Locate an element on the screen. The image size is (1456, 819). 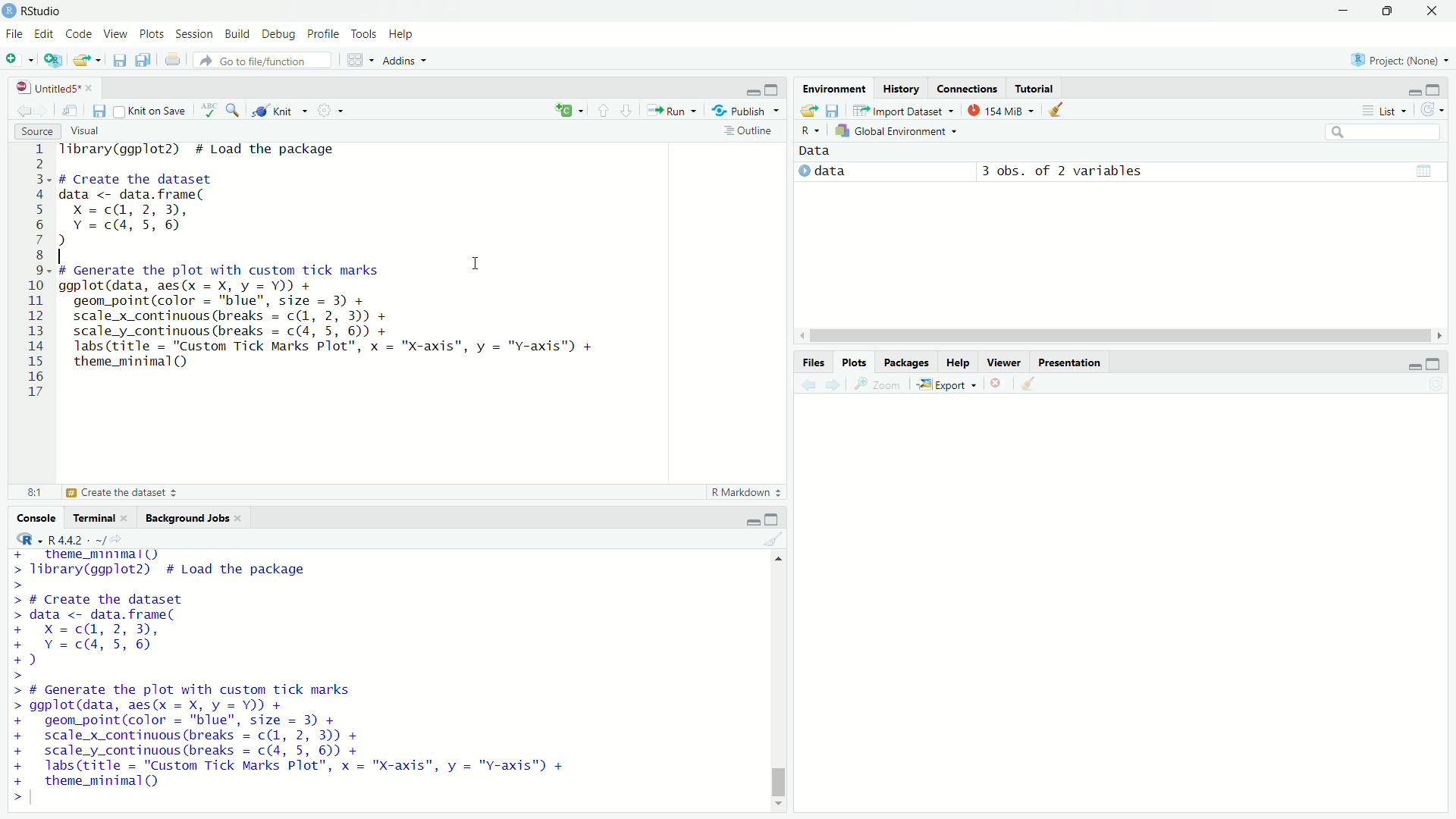
minimize is located at coordinates (1410, 366).